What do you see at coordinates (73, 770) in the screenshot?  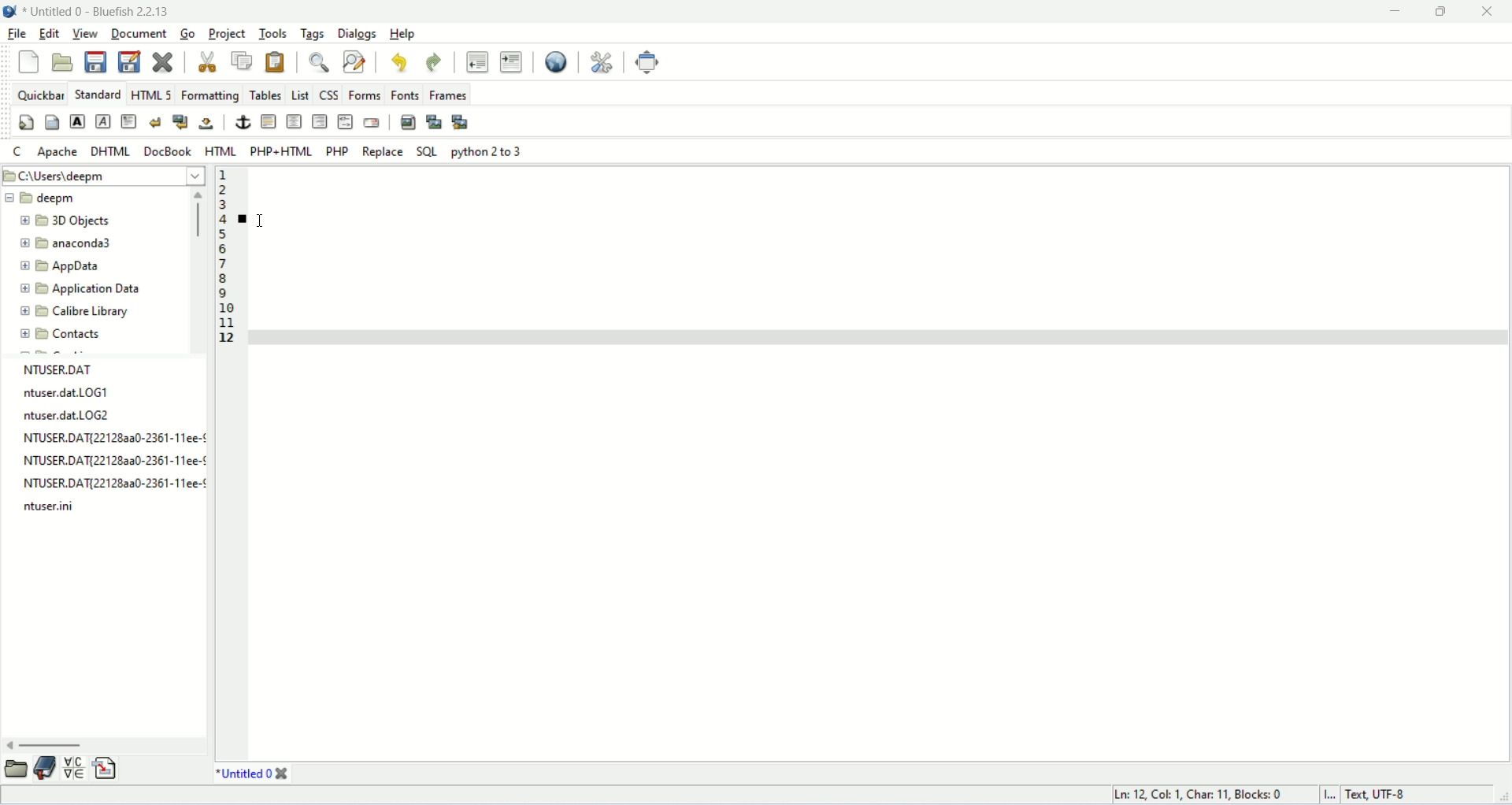 I see `insert special character` at bounding box center [73, 770].